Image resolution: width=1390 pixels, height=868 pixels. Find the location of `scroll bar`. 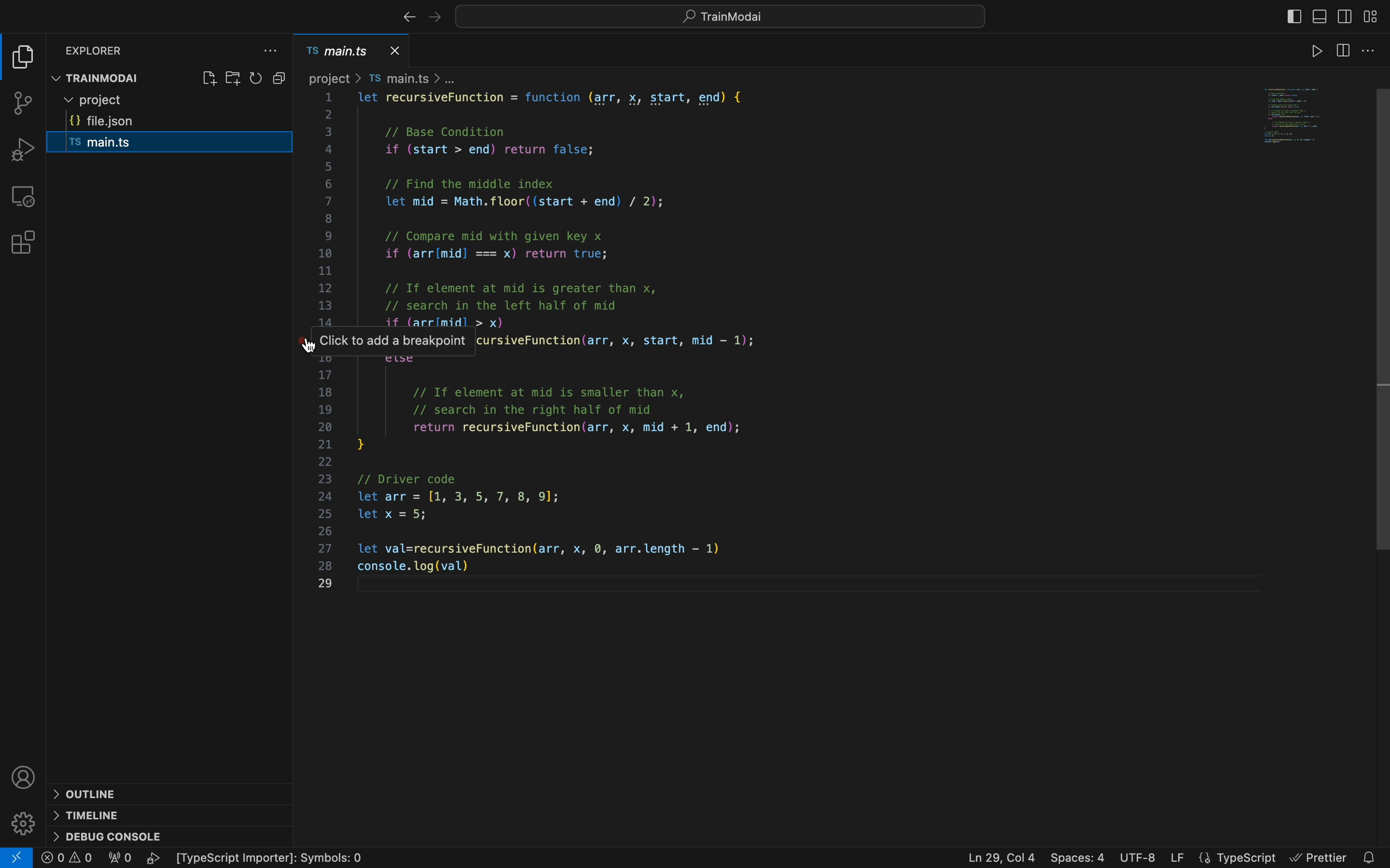

scroll bar is located at coordinates (1379, 339).